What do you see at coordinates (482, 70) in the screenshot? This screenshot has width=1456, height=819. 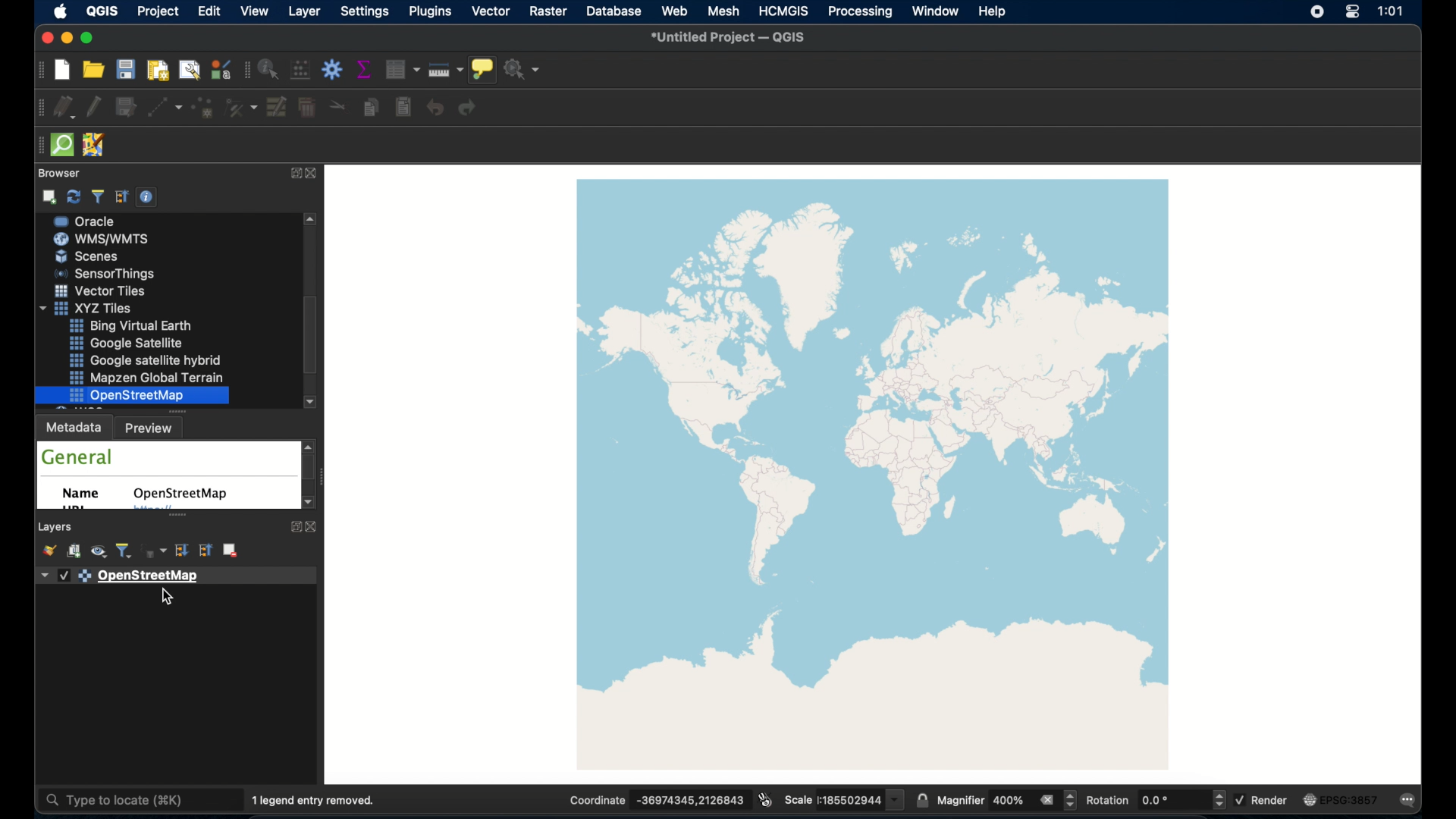 I see `show map tips` at bounding box center [482, 70].